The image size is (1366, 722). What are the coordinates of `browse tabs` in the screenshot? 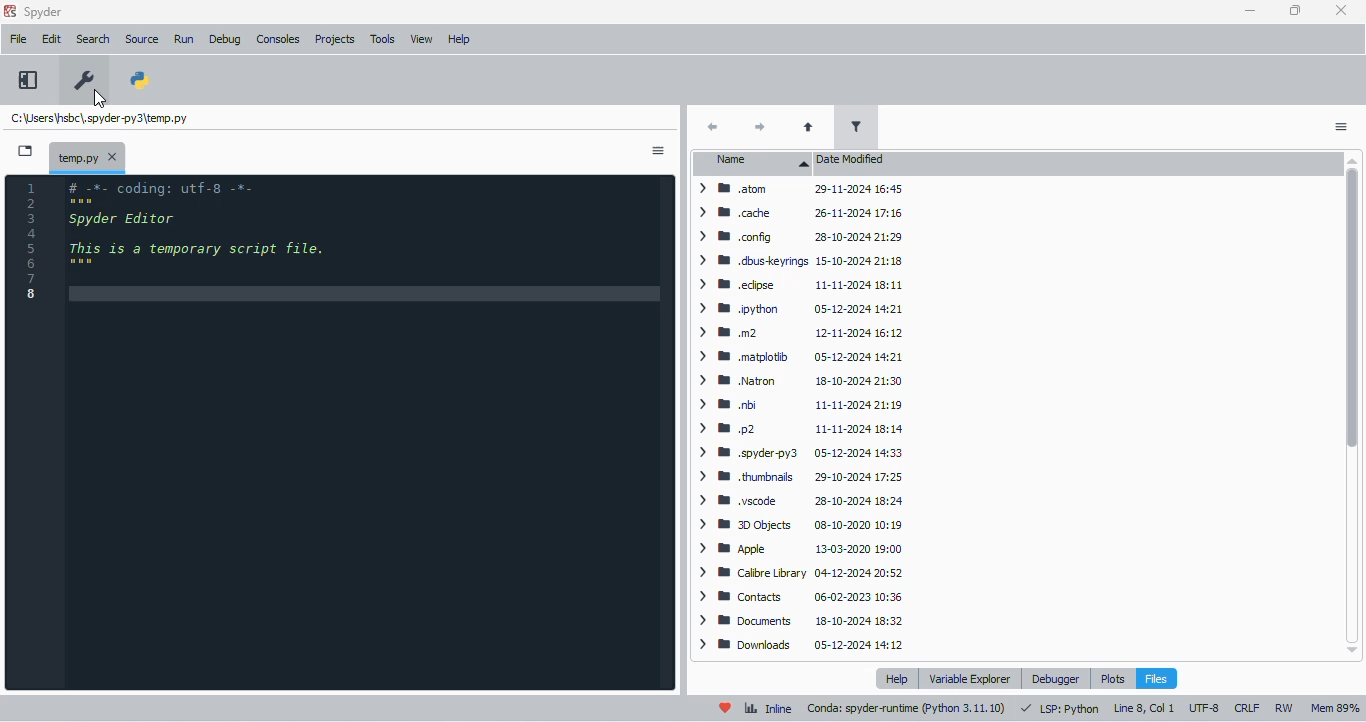 It's located at (26, 151).